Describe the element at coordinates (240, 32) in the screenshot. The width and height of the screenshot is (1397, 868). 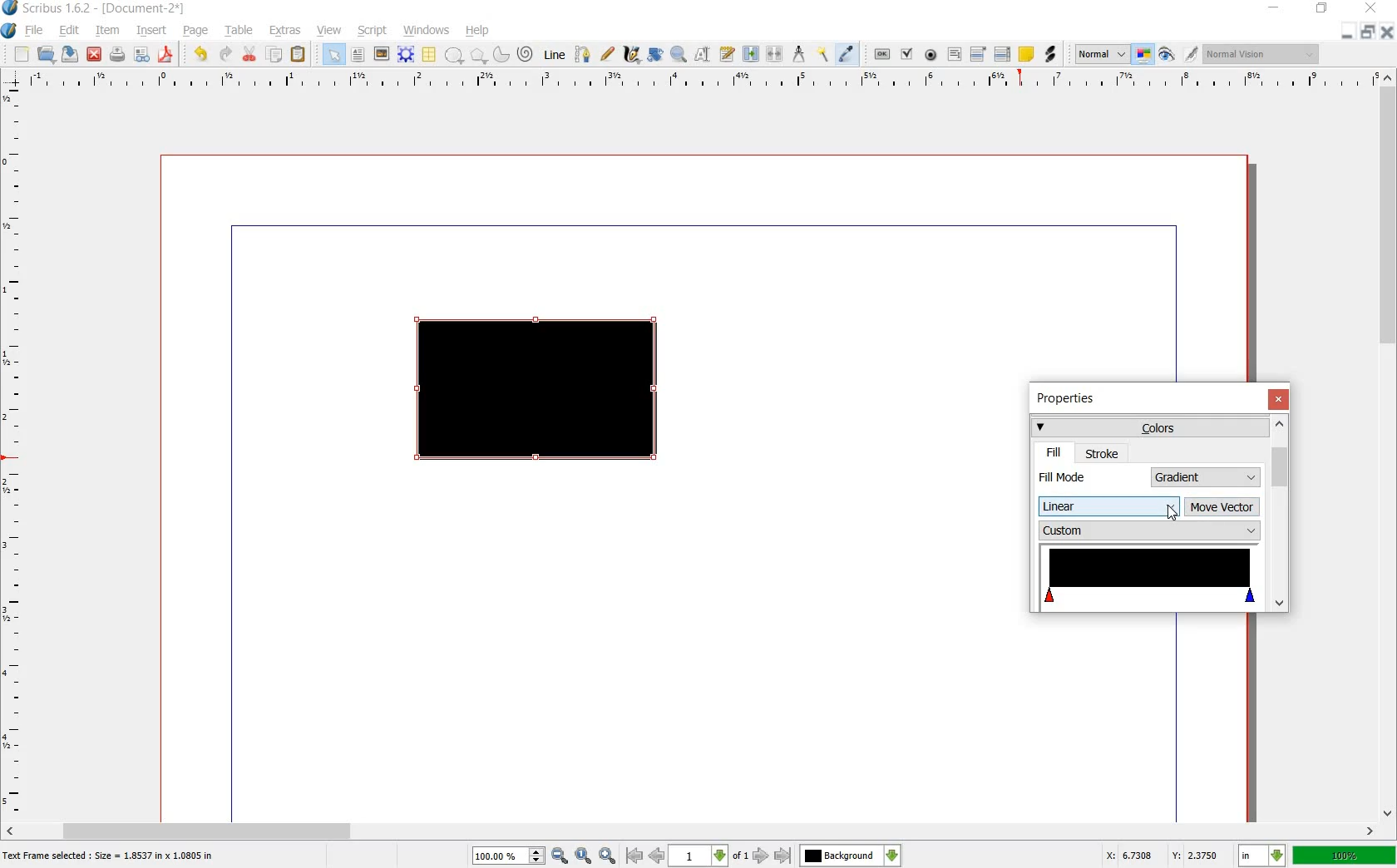
I see `table` at that location.